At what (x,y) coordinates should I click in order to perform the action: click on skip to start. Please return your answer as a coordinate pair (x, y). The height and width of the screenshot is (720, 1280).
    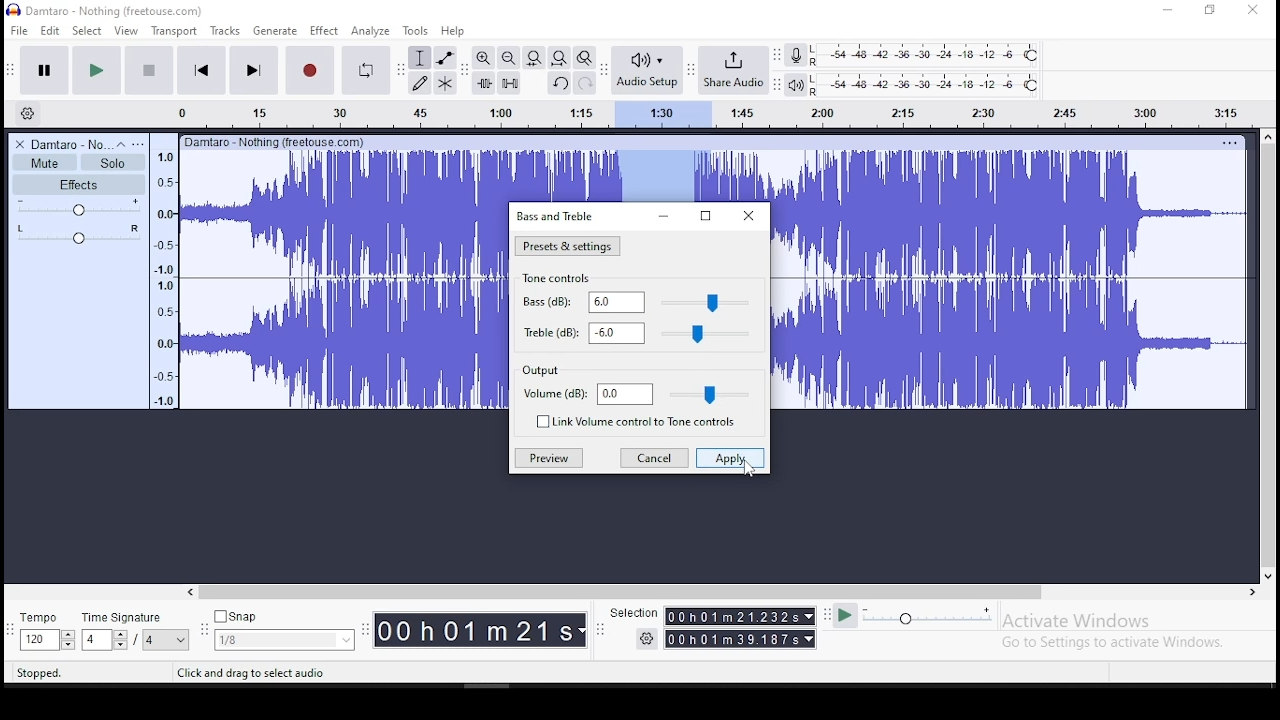
    Looking at the image, I should click on (253, 69).